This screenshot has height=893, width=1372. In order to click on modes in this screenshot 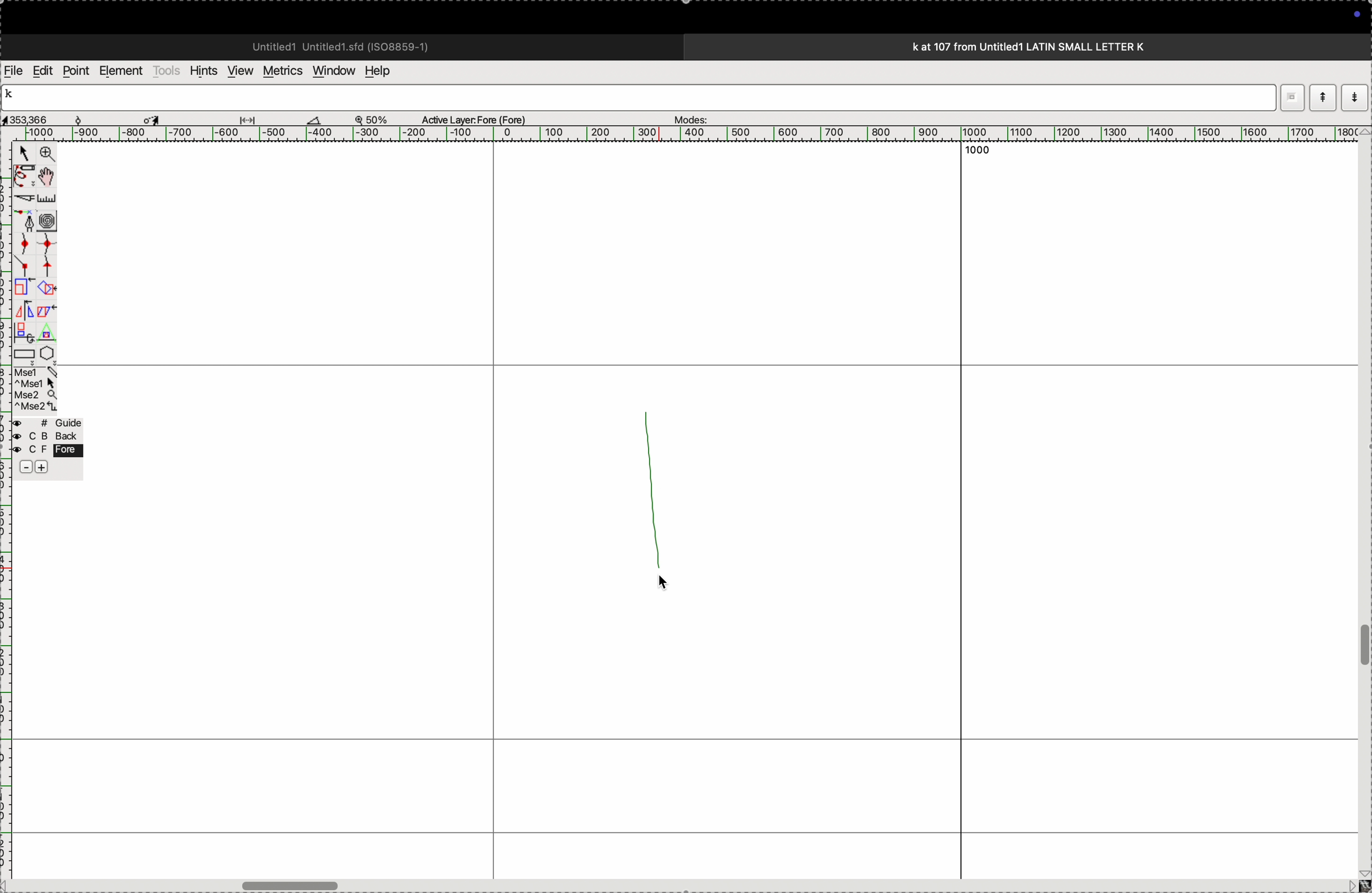, I will do `click(687, 116)`.